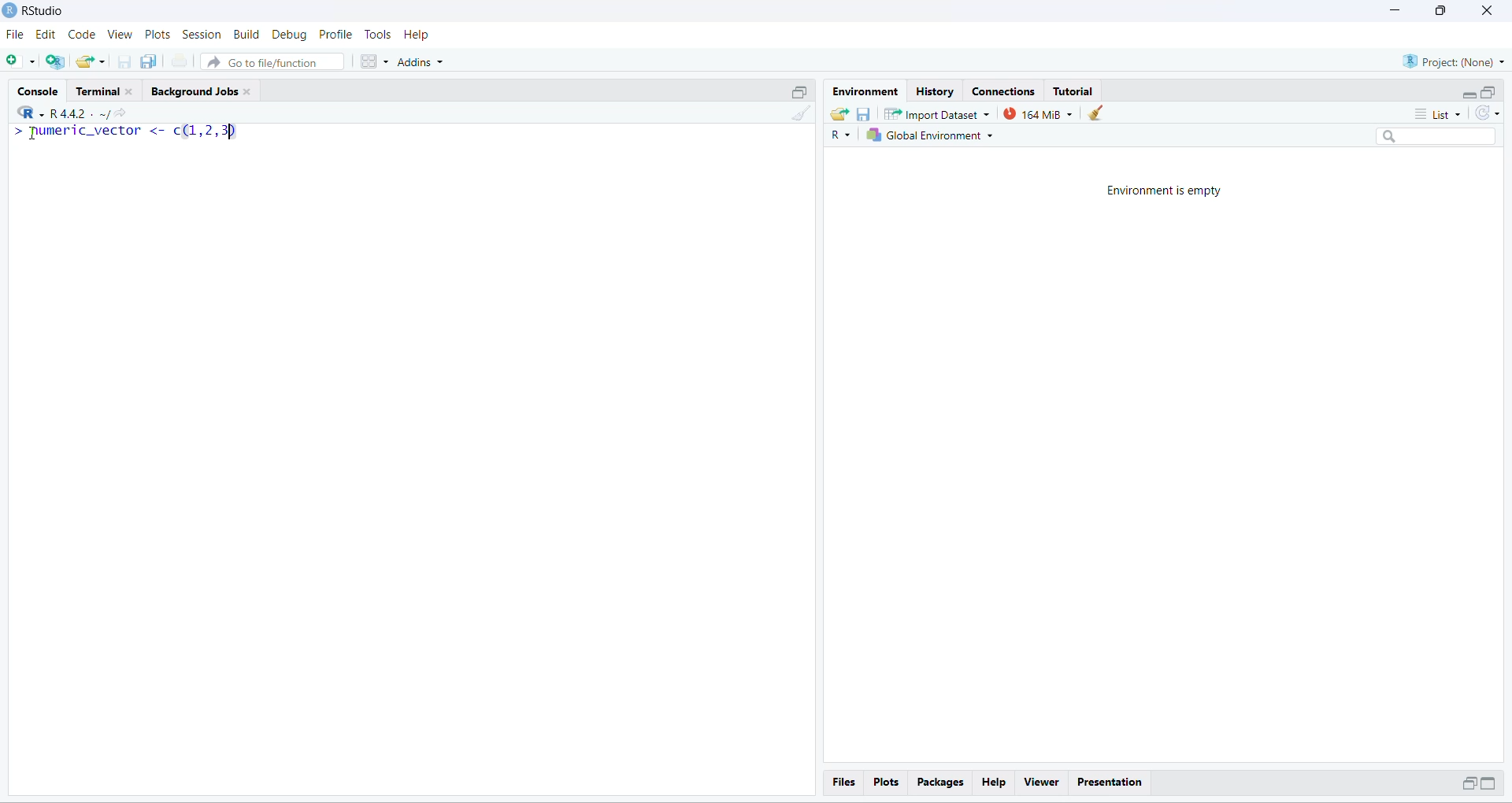 This screenshot has height=803, width=1512. What do you see at coordinates (1488, 113) in the screenshot?
I see `refresh` at bounding box center [1488, 113].